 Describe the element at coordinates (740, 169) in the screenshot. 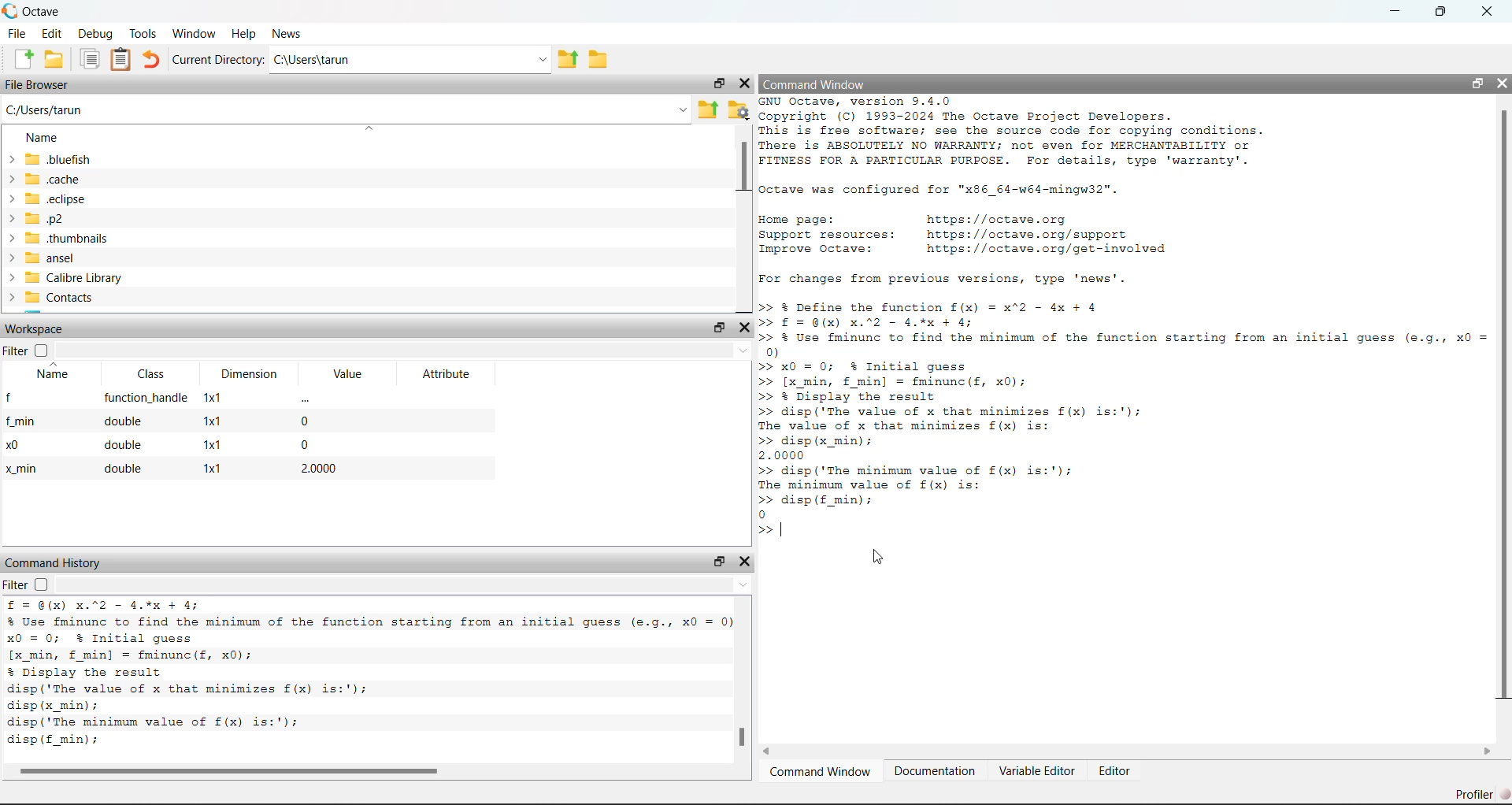

I see `Scrollbar` at that location.